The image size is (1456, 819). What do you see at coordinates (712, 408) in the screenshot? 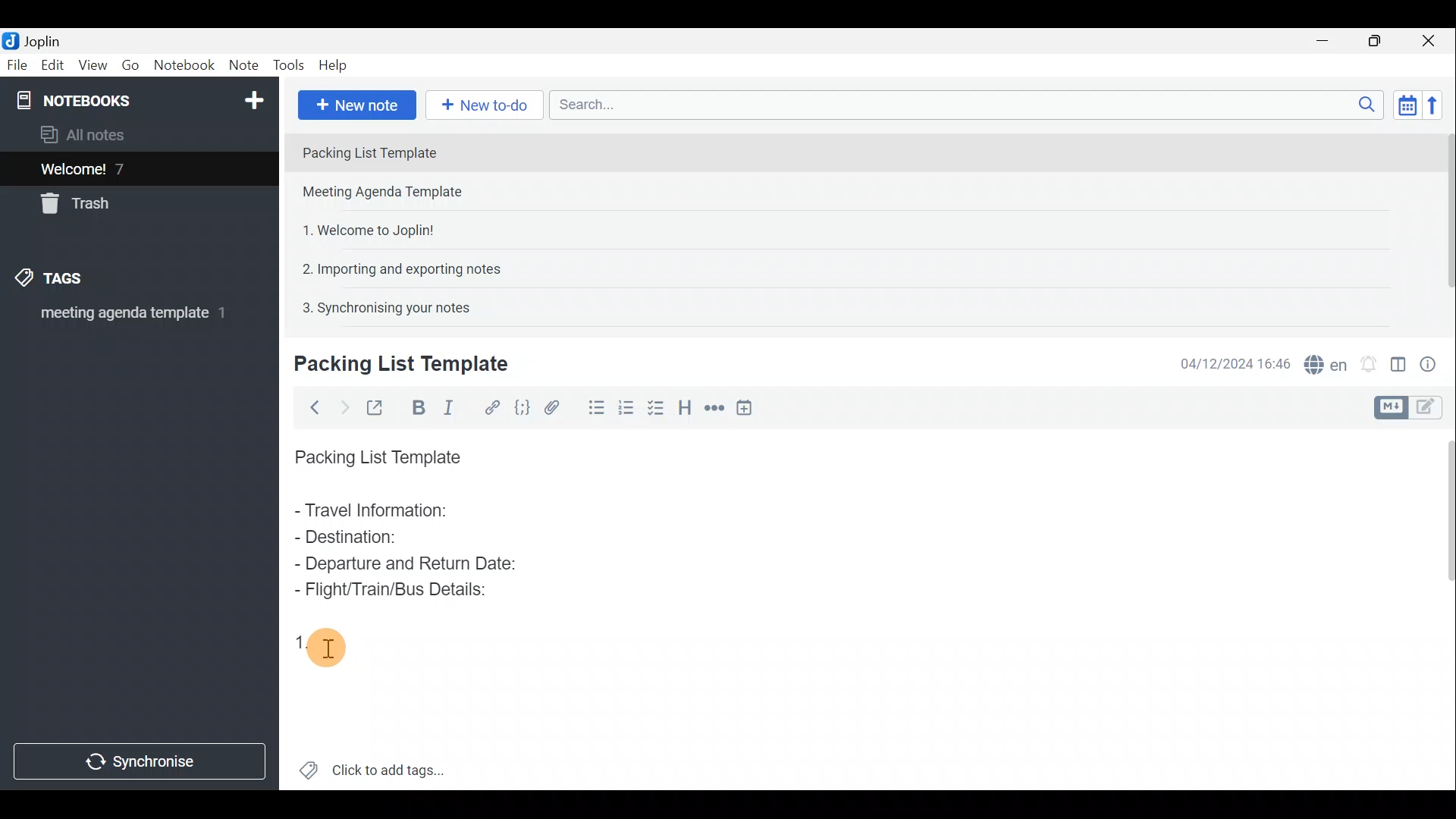
I see `Horizontal rule` at bounding box center [712, 408].